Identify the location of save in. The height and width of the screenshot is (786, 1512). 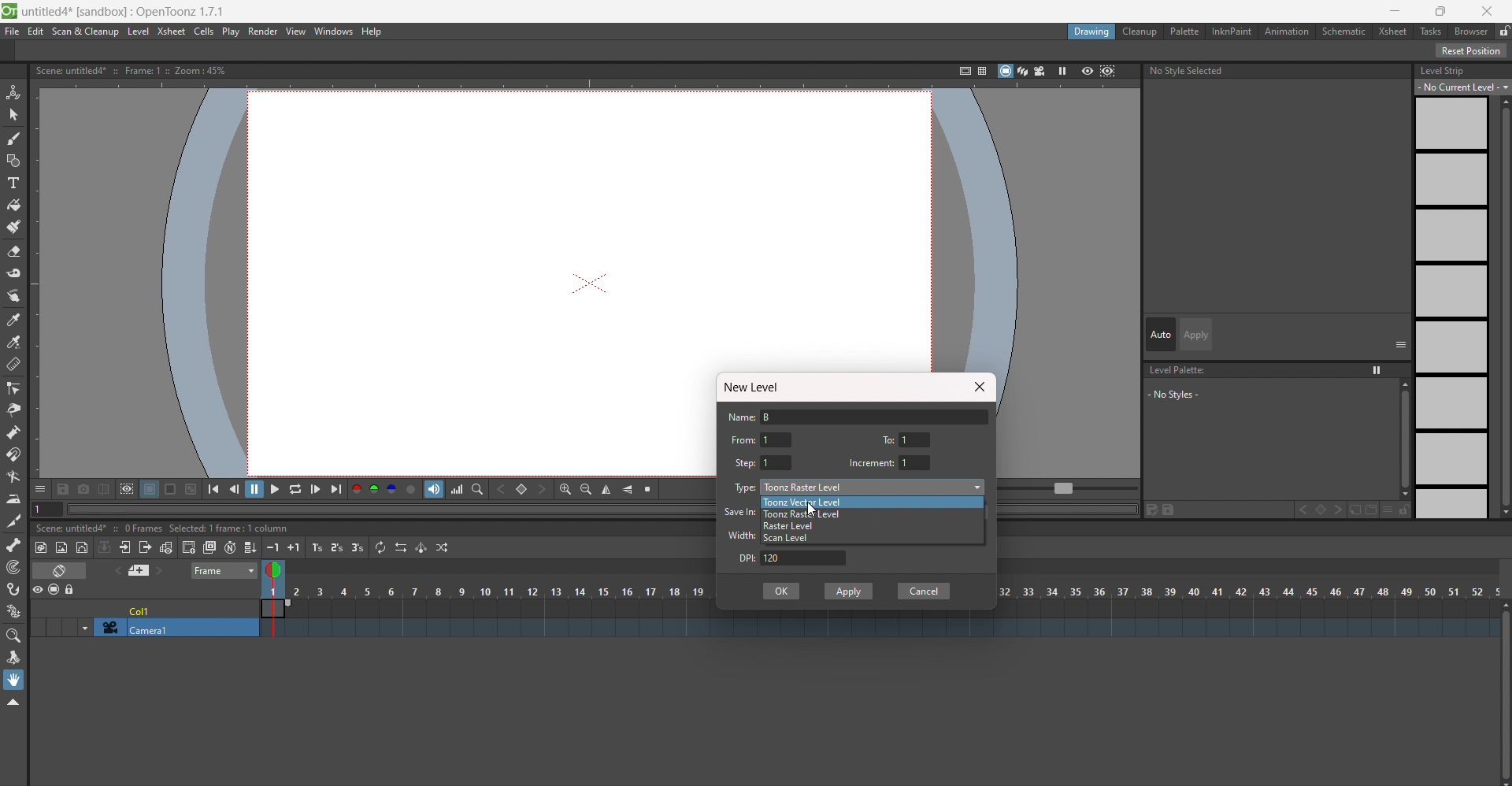
(741, 511).